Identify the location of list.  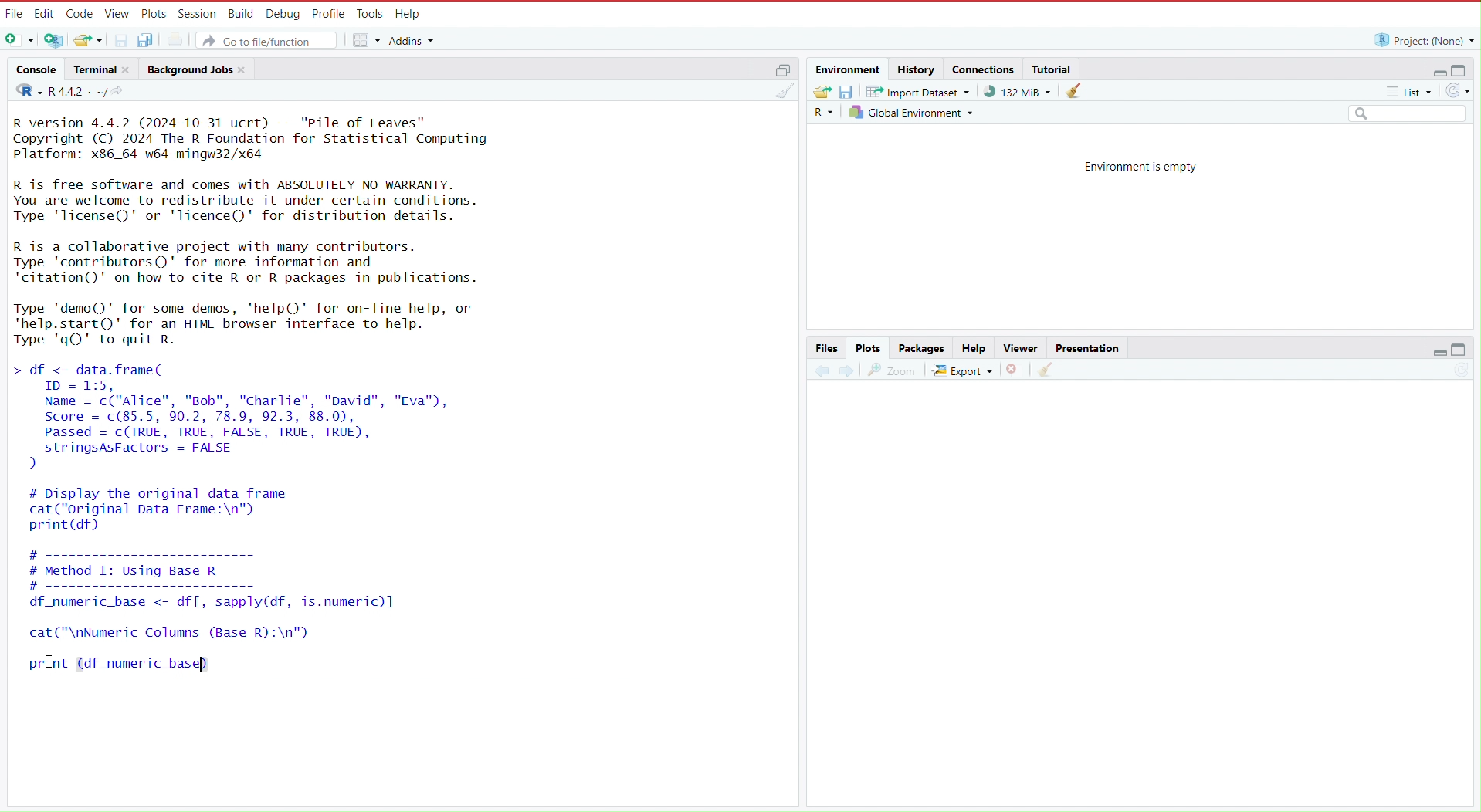
(1415, 91).